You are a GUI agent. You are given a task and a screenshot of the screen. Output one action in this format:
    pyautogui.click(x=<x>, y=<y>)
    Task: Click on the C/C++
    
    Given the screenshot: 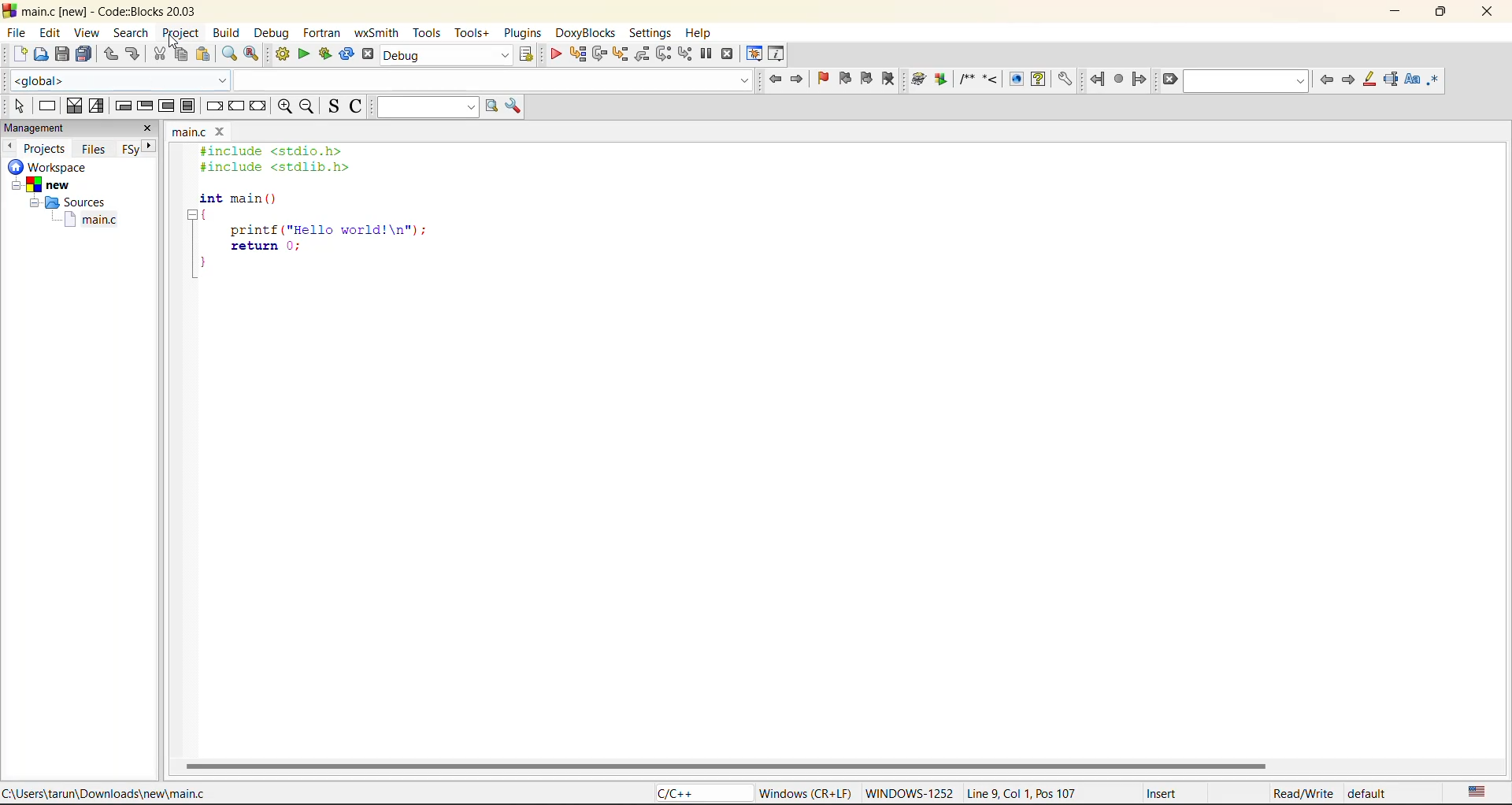 What is the action you would take?
    pyautogui.click(x=698, y=792)
    